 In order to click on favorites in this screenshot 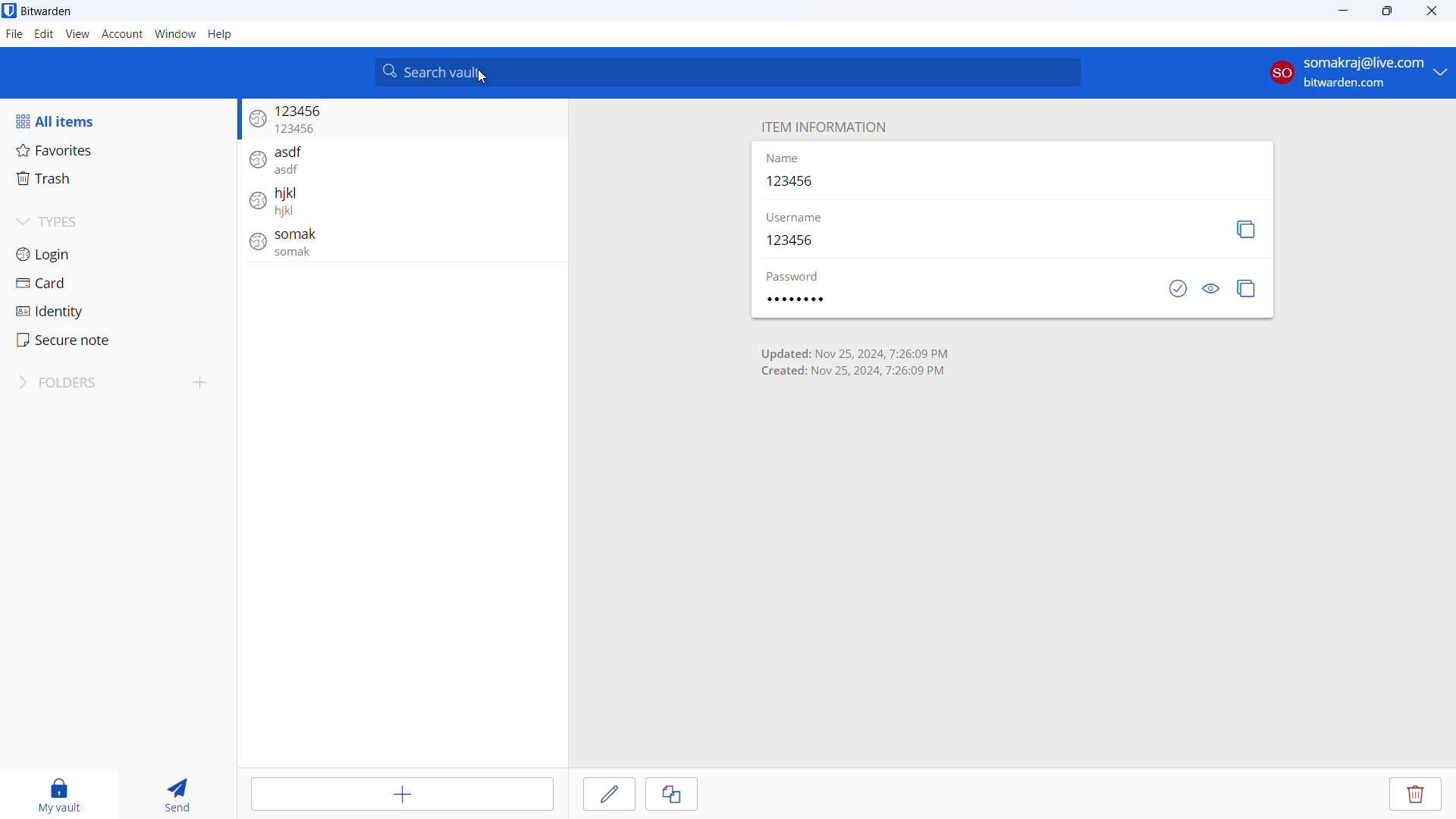, I will do `click(115, 149)`.